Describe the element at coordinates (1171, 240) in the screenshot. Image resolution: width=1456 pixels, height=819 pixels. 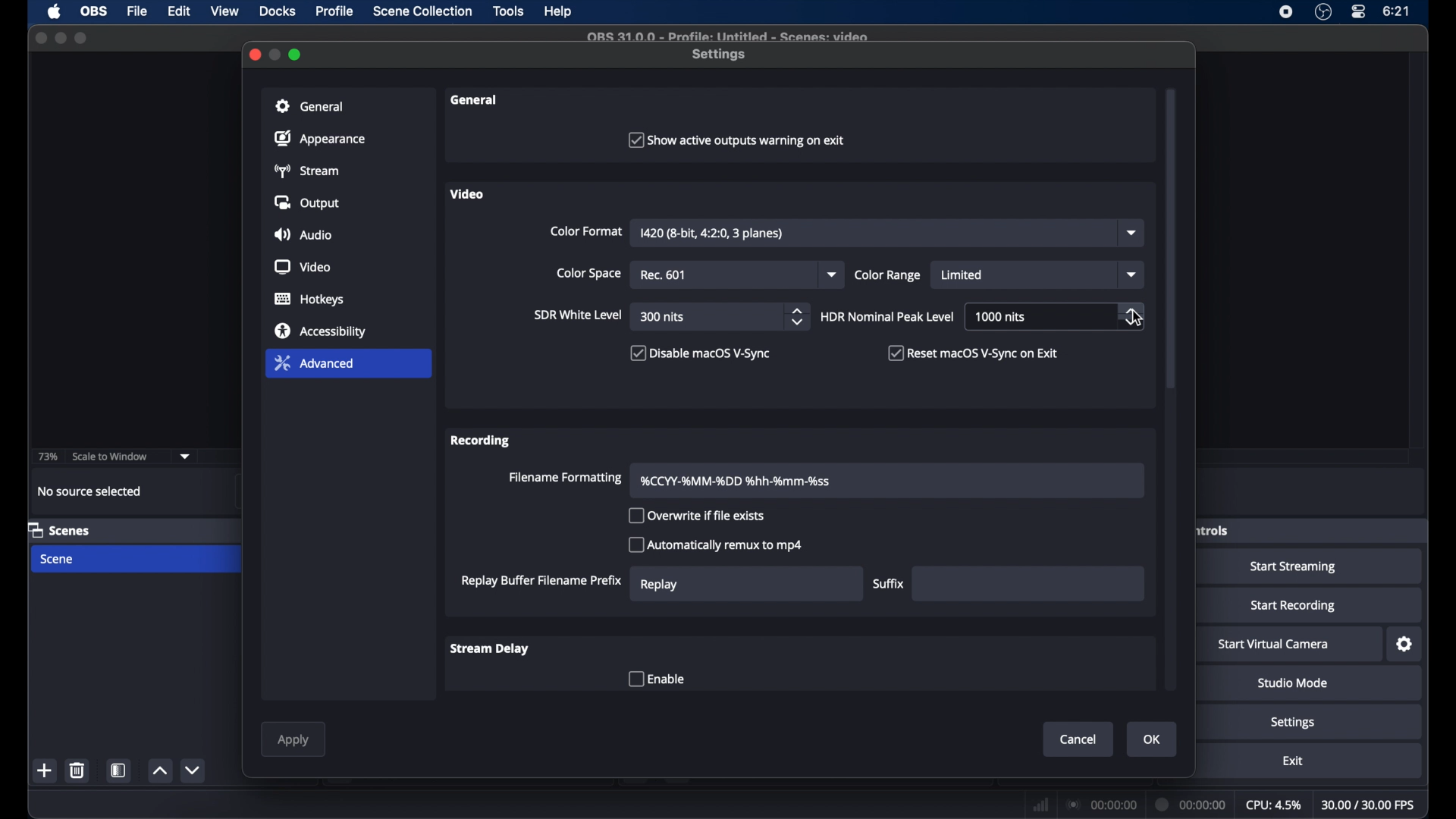
I see `scroll box` at that location.